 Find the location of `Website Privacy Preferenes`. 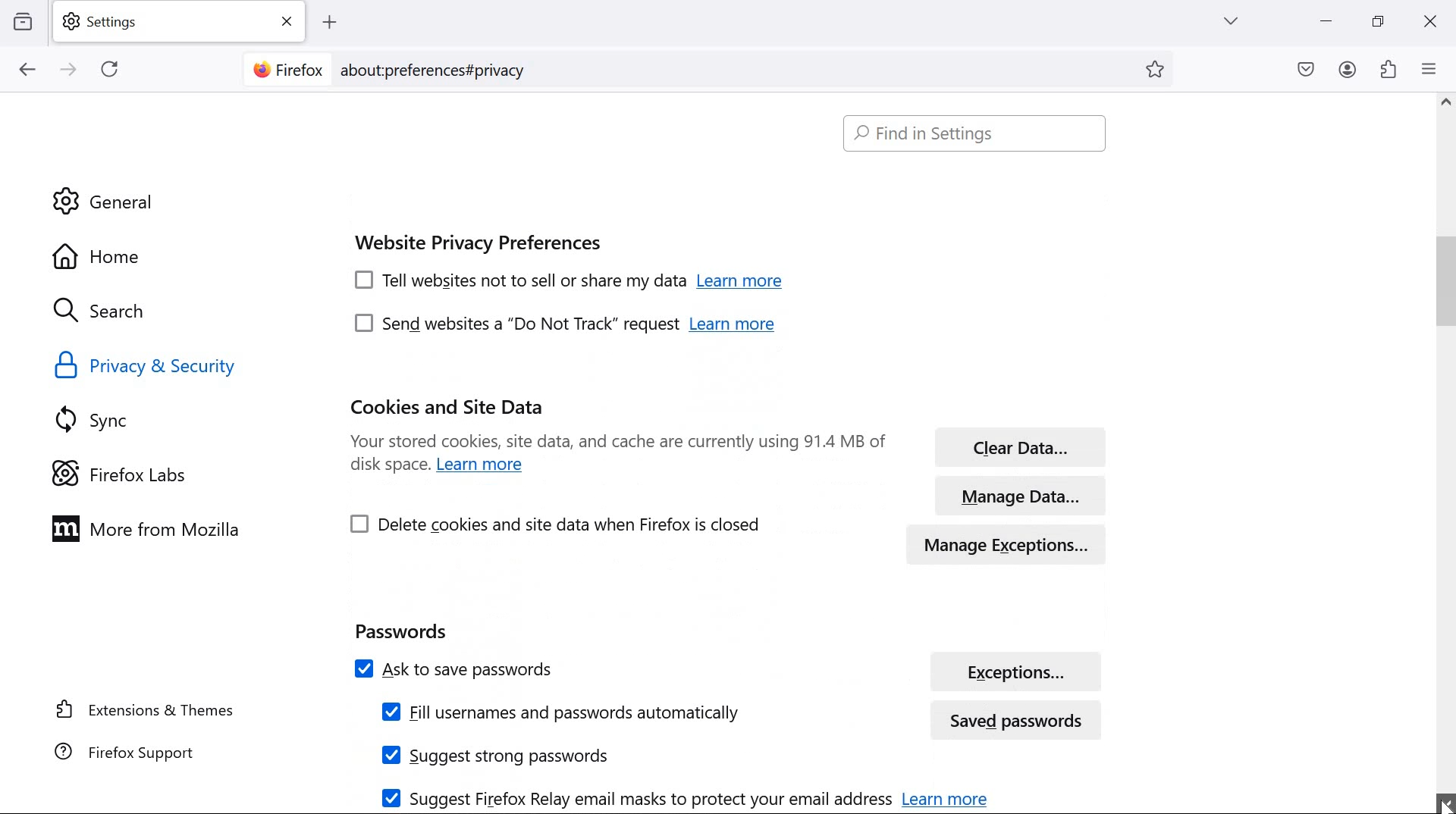

Website Privacy Preferenes is located at coordinates (563, 243).